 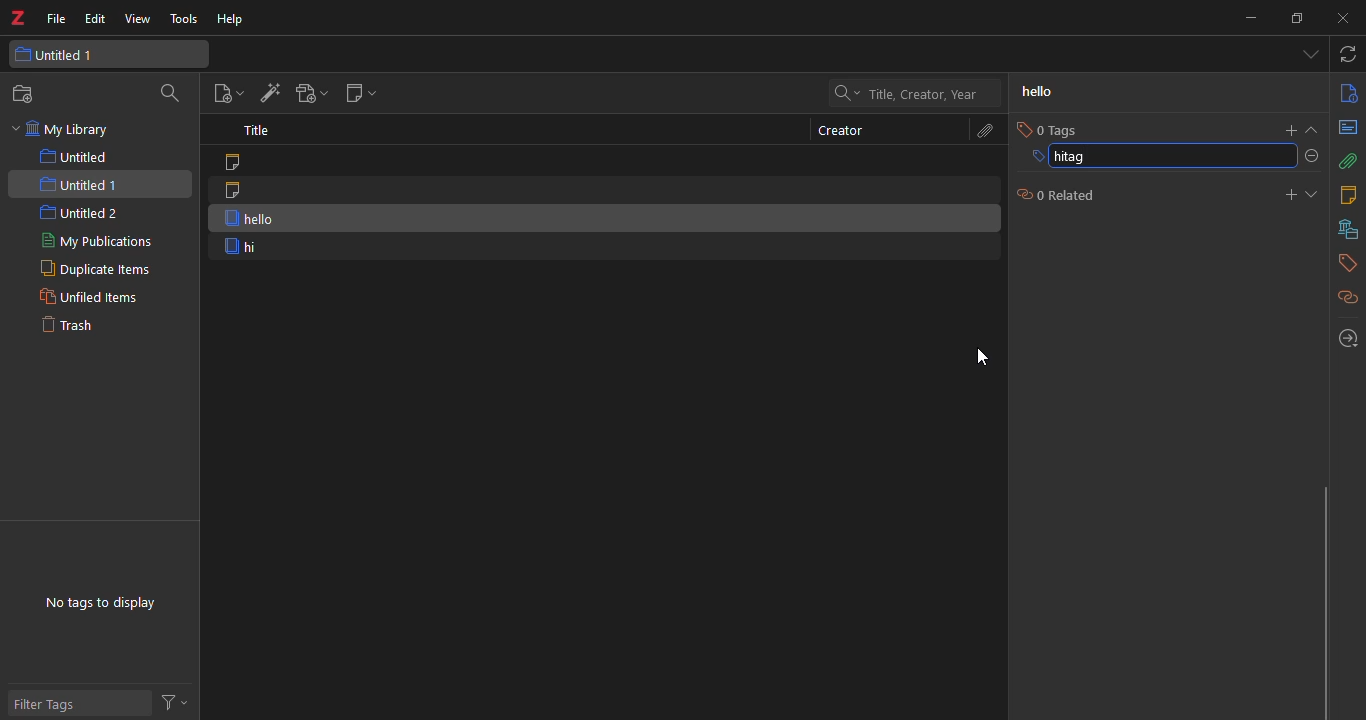 What do you see at coordinates (1322, 600) in the screenshot?
I see `slidebar` at bounding box center [1322, 600].